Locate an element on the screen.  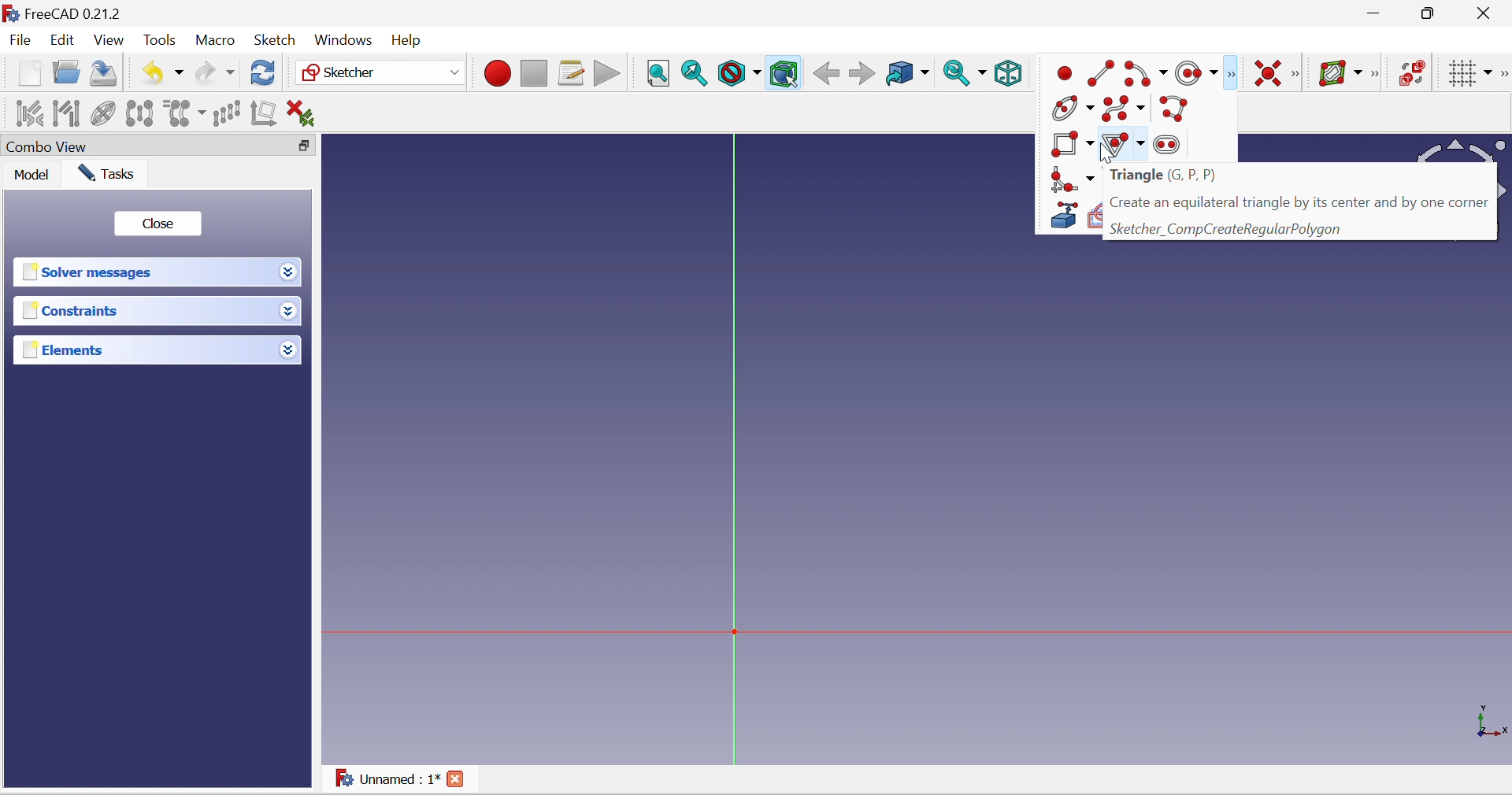
Create B-spline is located at coordinates (1123, 110).